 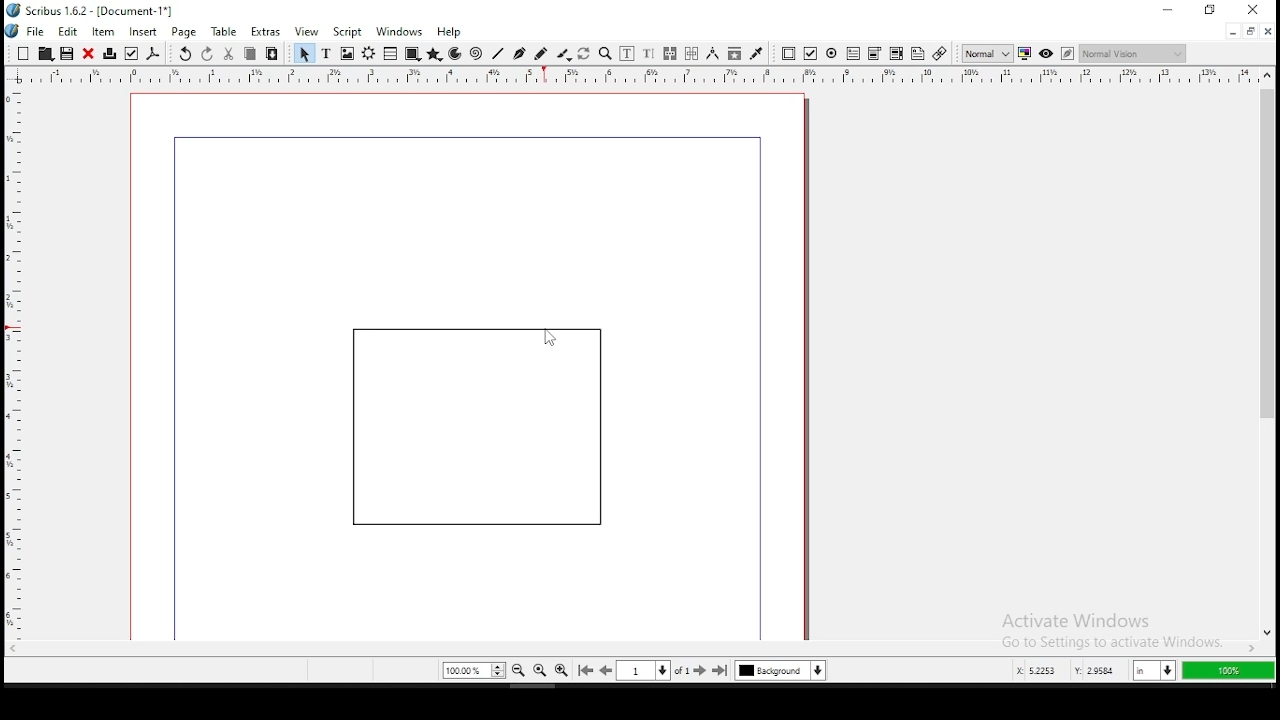 What do you see at coordinates (498, 54) in the screenshot?
I see `line` at bounding box center [498, 54].